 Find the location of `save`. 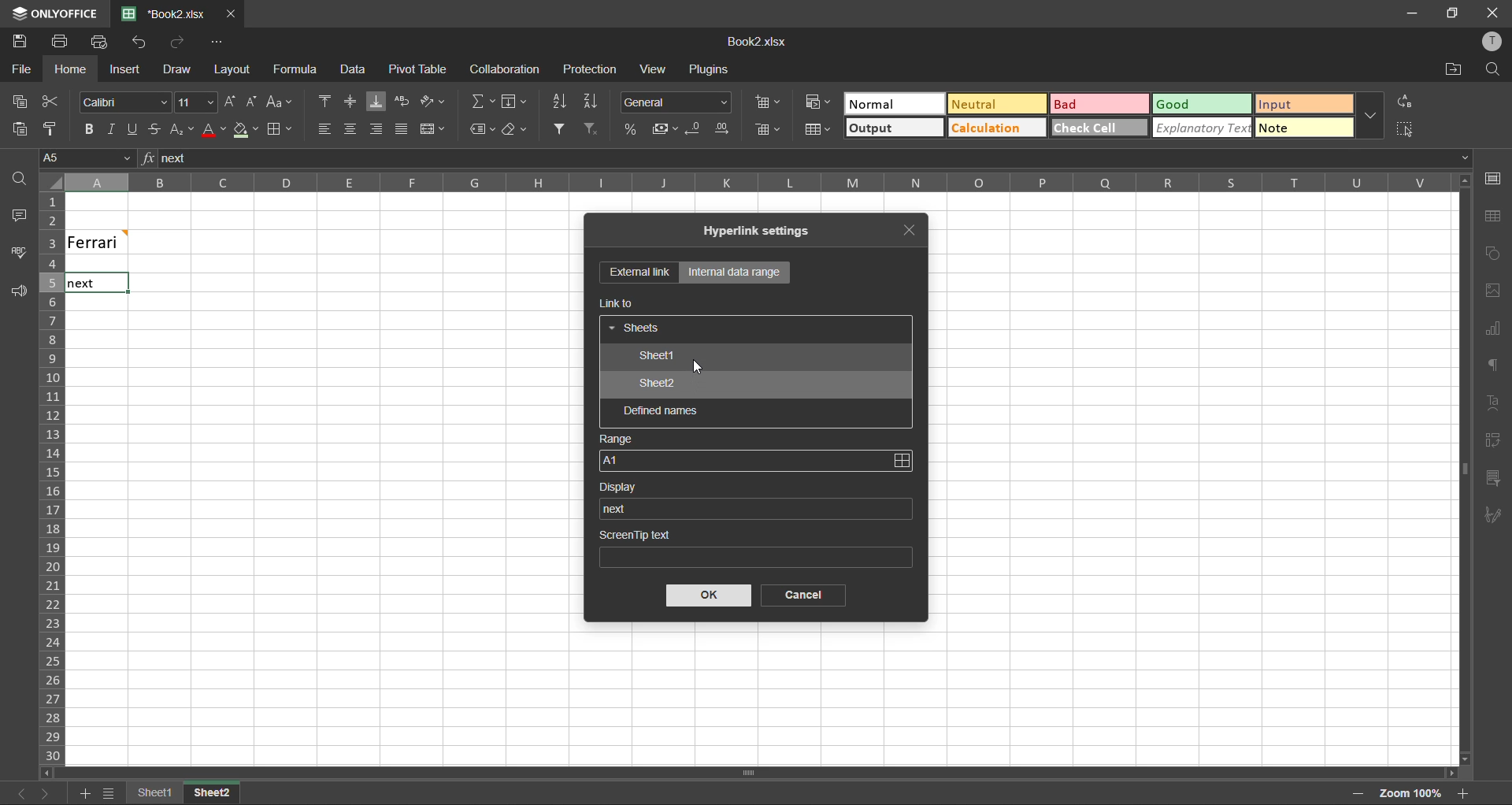

save is located at coordinates (19, 42).